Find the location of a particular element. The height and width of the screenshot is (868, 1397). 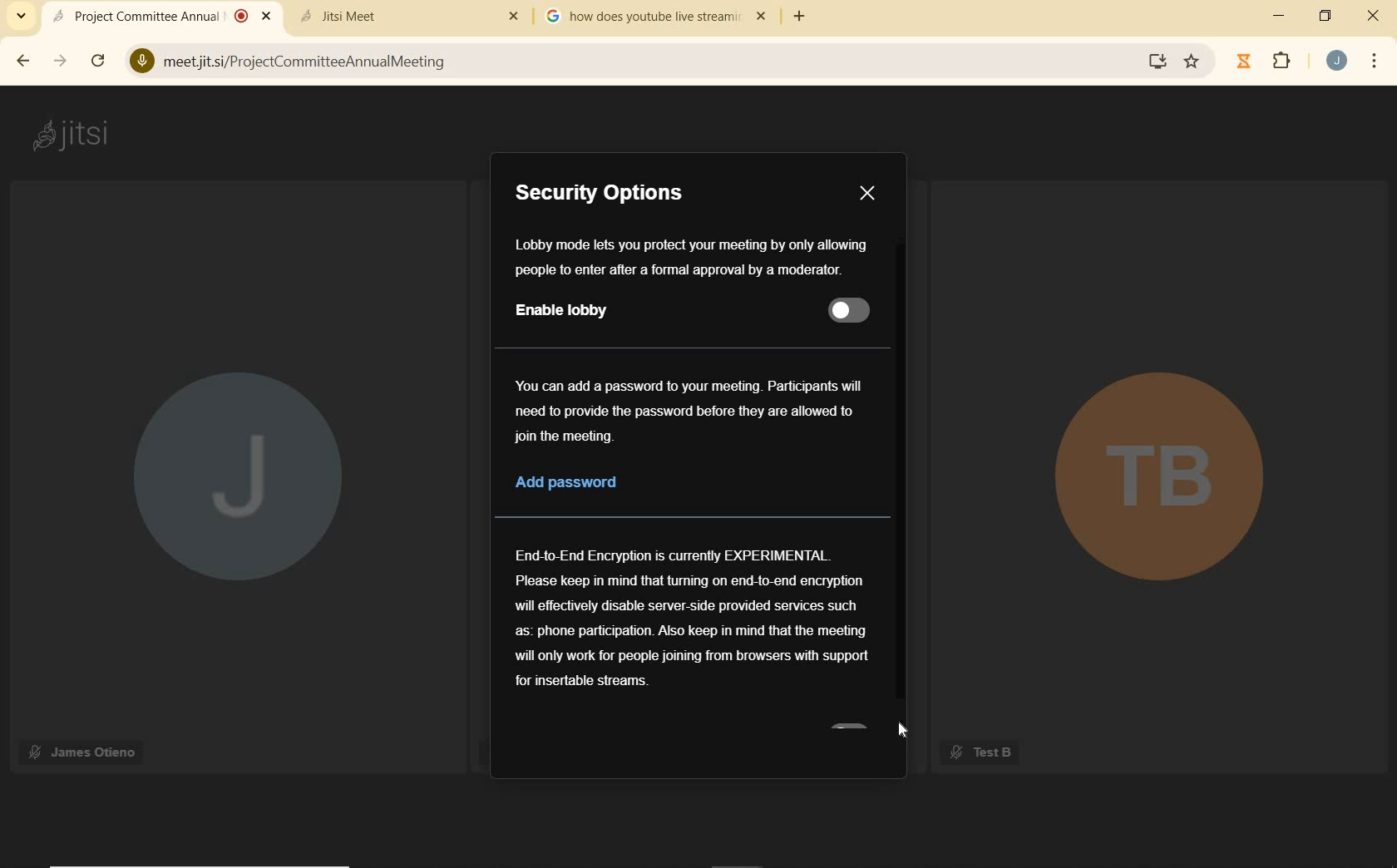

MINIMIZE is located at coordinates (1281, 18).